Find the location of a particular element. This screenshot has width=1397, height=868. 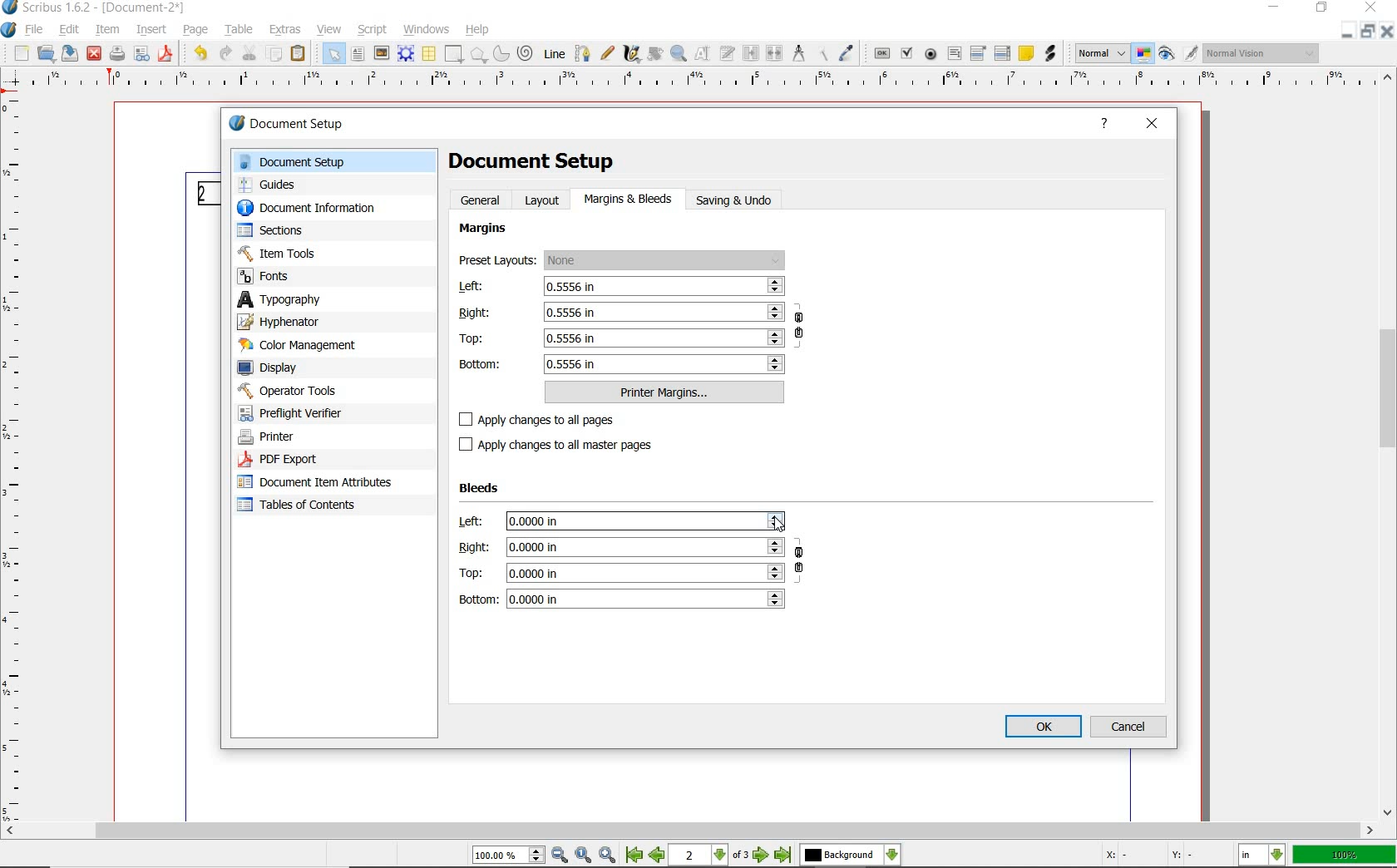

document information is located at coordinates (323, 209).